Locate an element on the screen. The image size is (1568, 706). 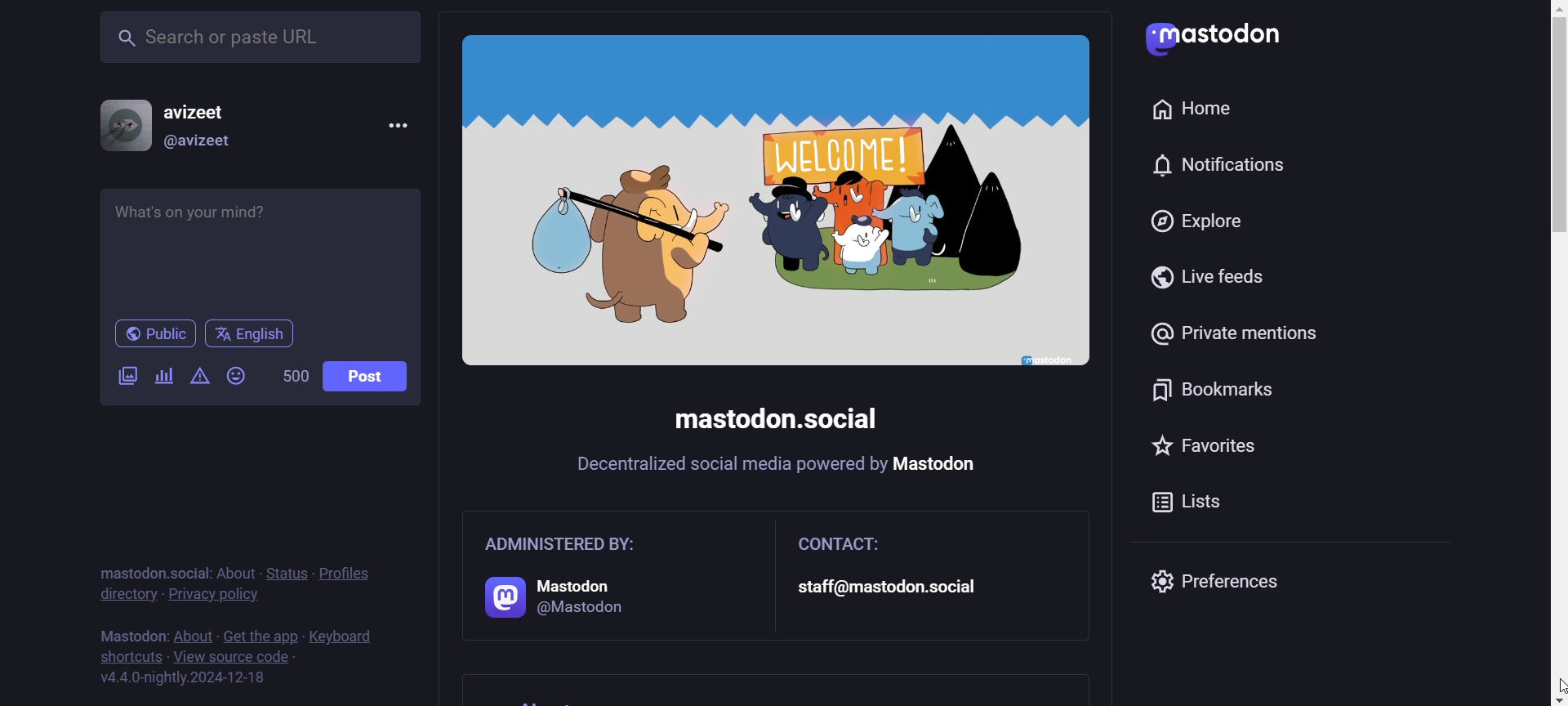
add content warning is located at coordinates (198, 380).